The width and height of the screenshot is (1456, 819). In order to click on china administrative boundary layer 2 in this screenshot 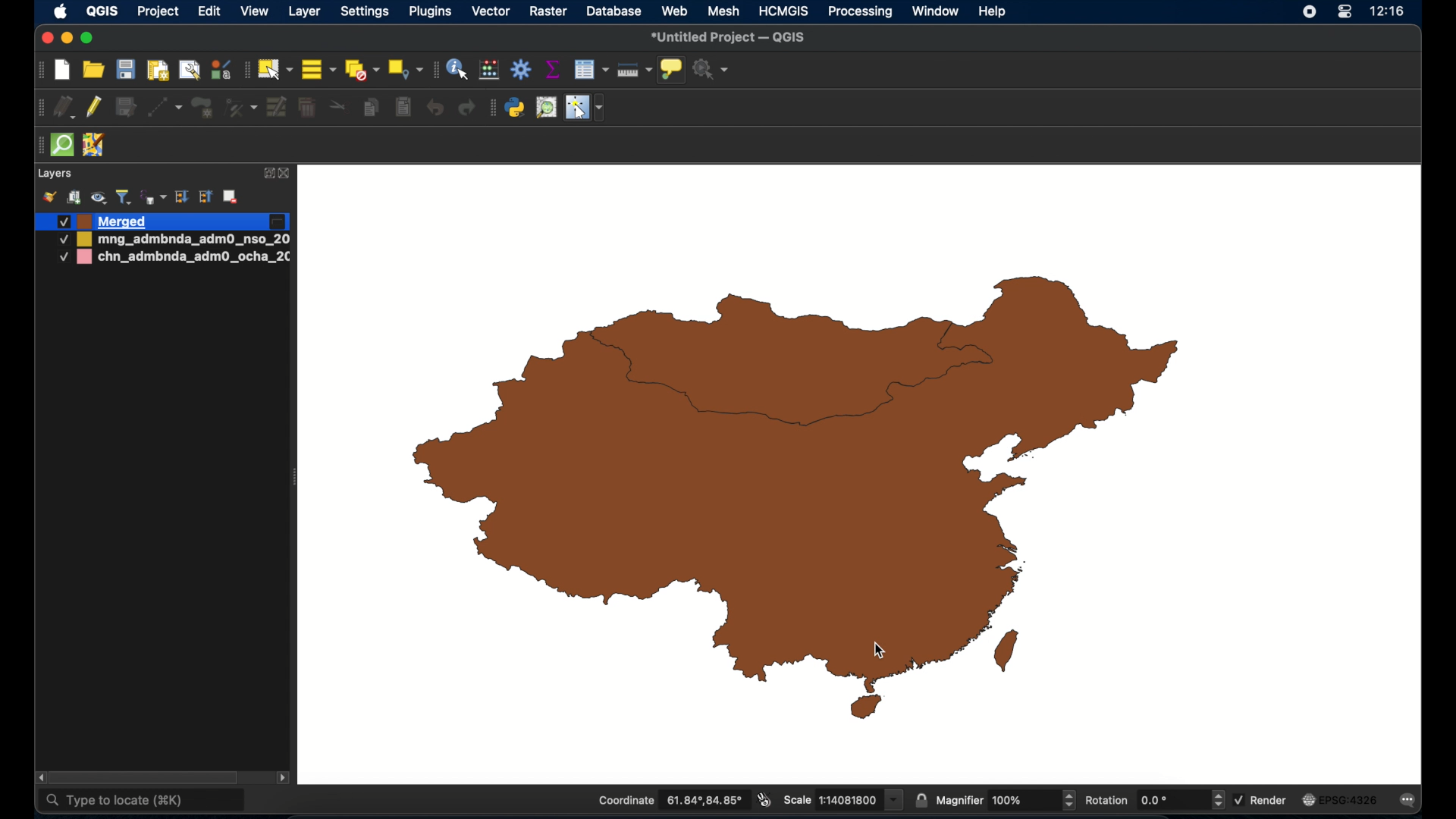, I will do `click(177, 259)`.